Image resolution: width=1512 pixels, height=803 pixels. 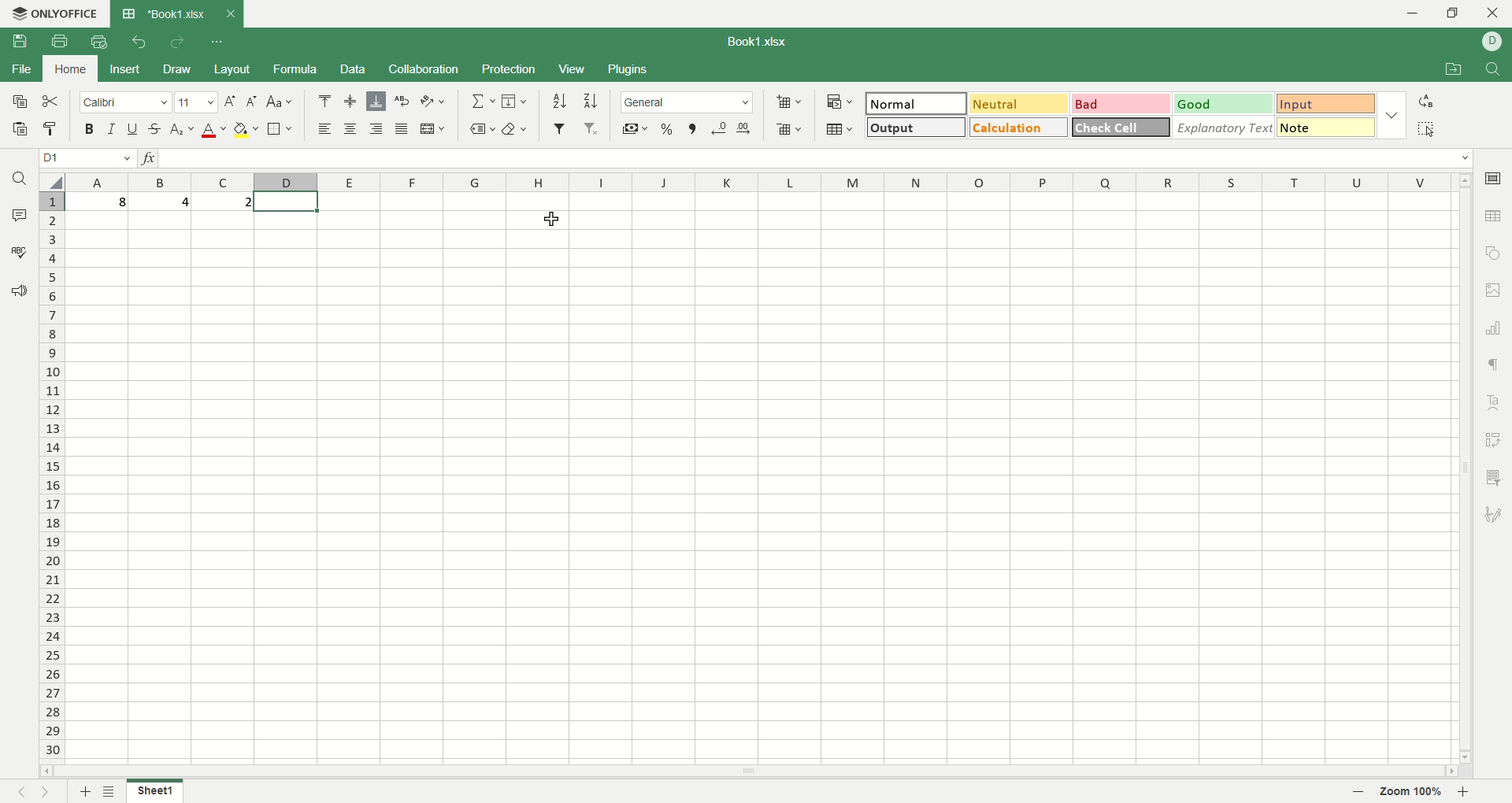 What do you see at coordinates (230, 101) in the screenshot?
I see `increase font size` at bounding box center [230, 101].